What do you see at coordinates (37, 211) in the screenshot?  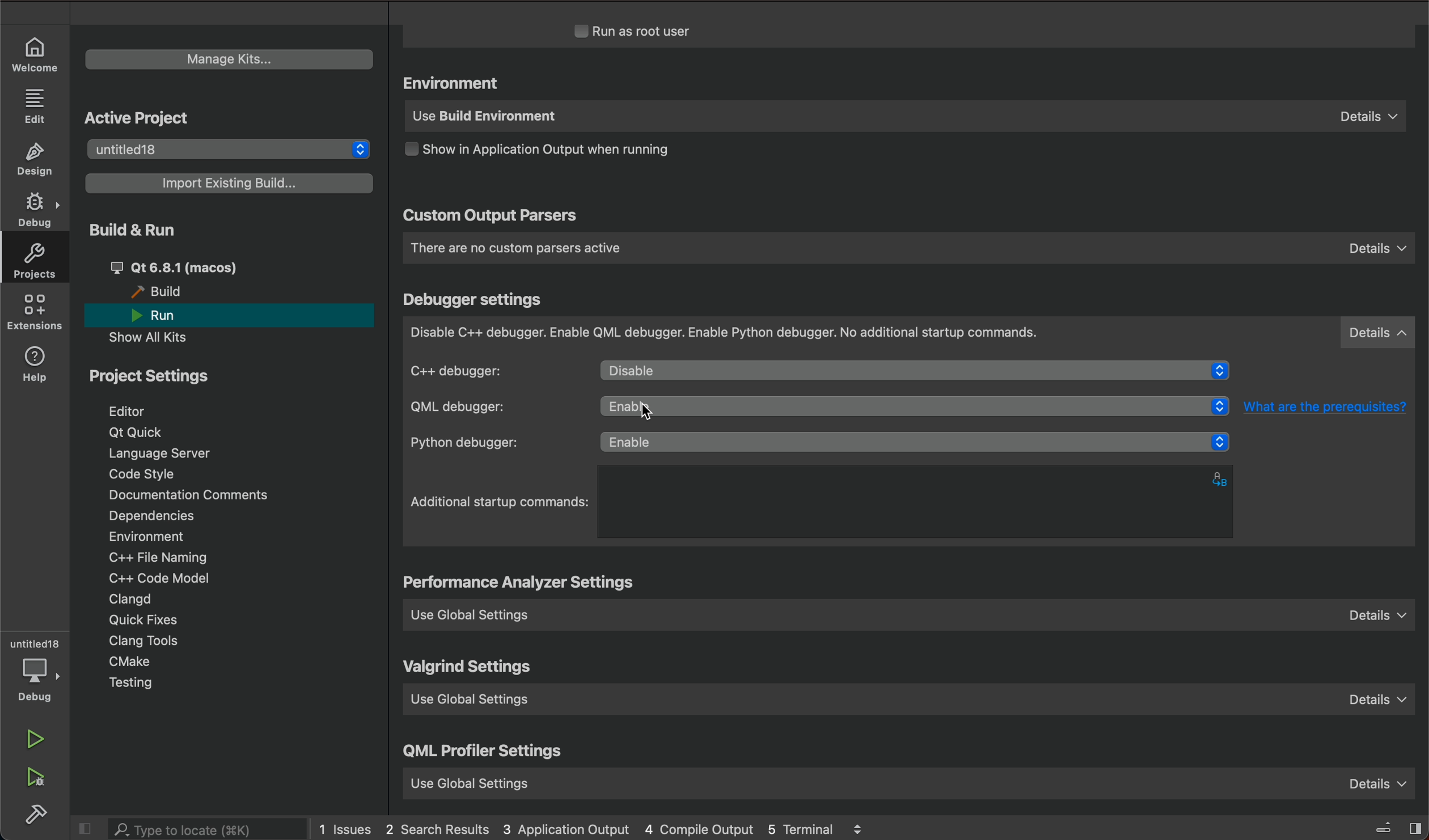 I see `DEBUG` at bounding box center [37, 211].